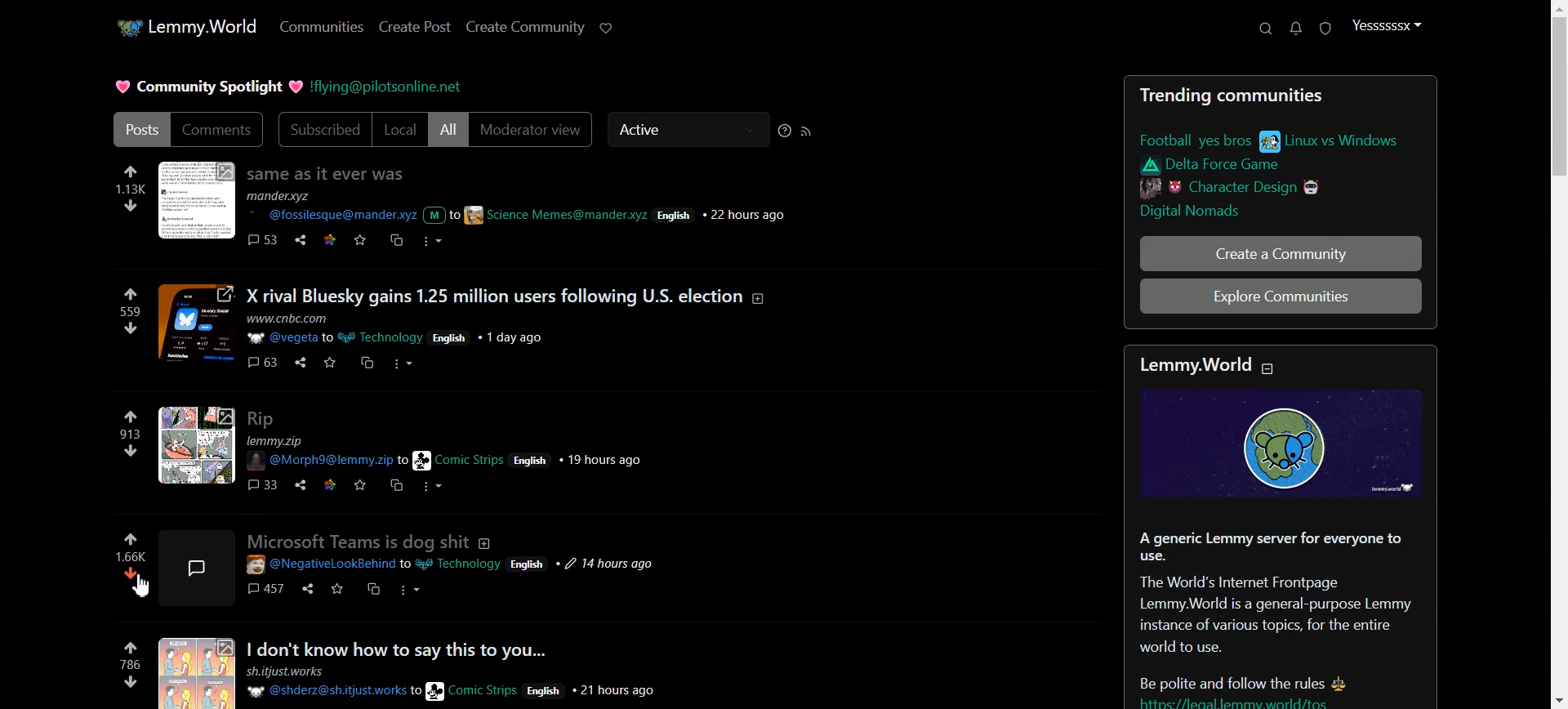 The width and height of the screenshot is (1568, 709). I want to click on Active, so click(688, 130).